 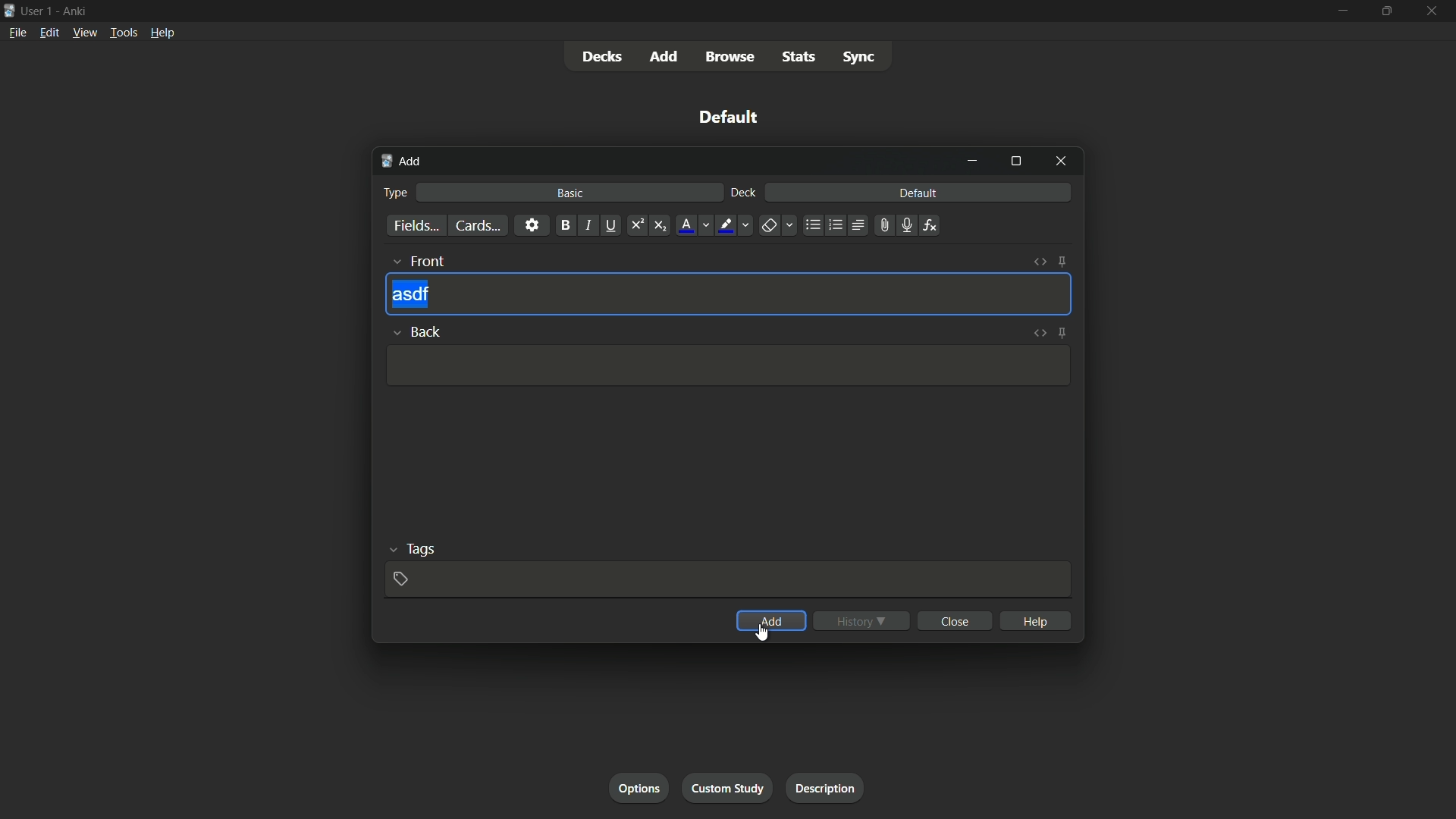 What do you see at coordinates (920, 193) in the screenshot?
I see `default` at bounding box center [920, 193].